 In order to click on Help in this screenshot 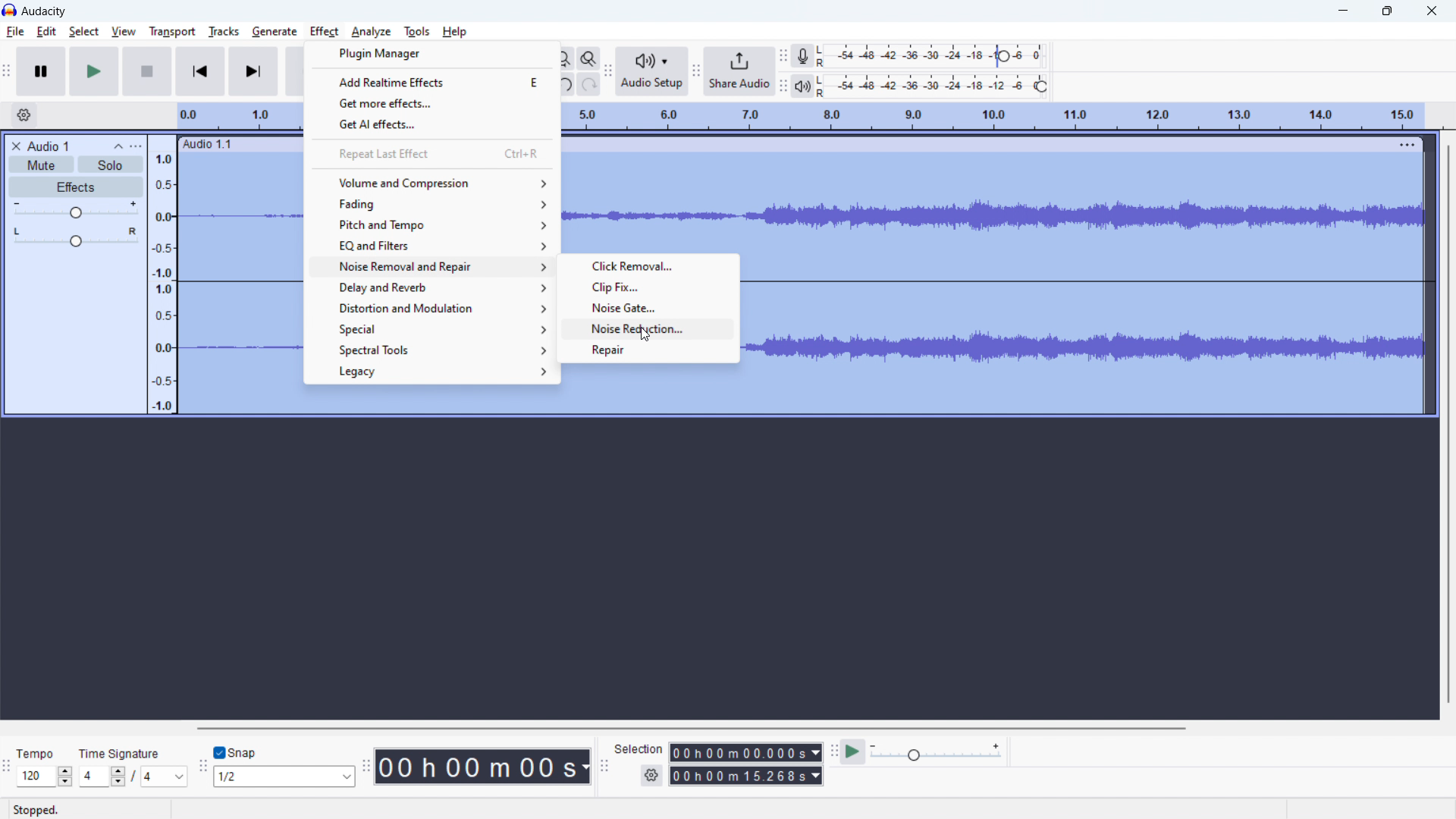, I will do `click(457, 31)`.